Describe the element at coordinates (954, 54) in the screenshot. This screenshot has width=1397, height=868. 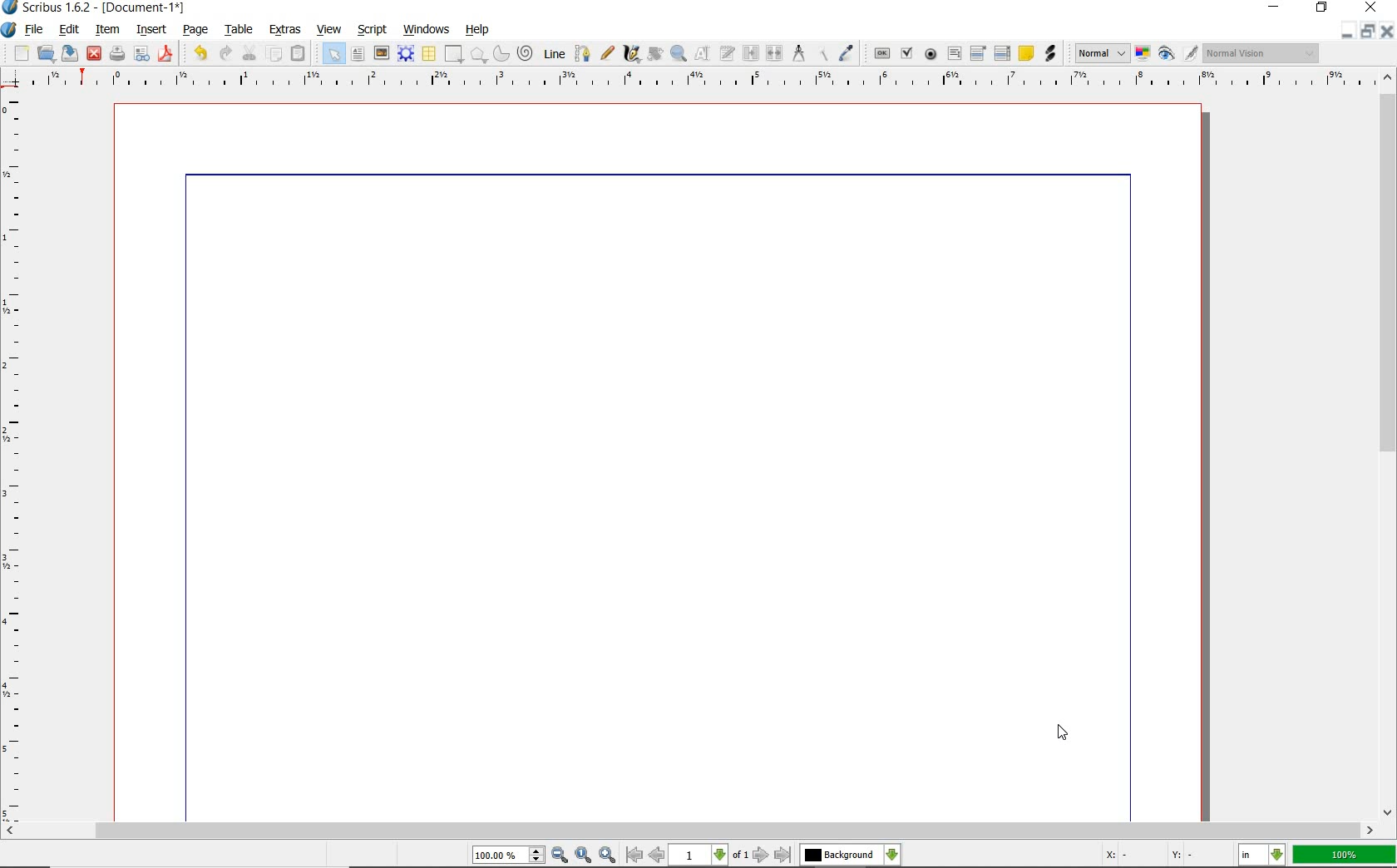
I see `pdf text field` at that location.